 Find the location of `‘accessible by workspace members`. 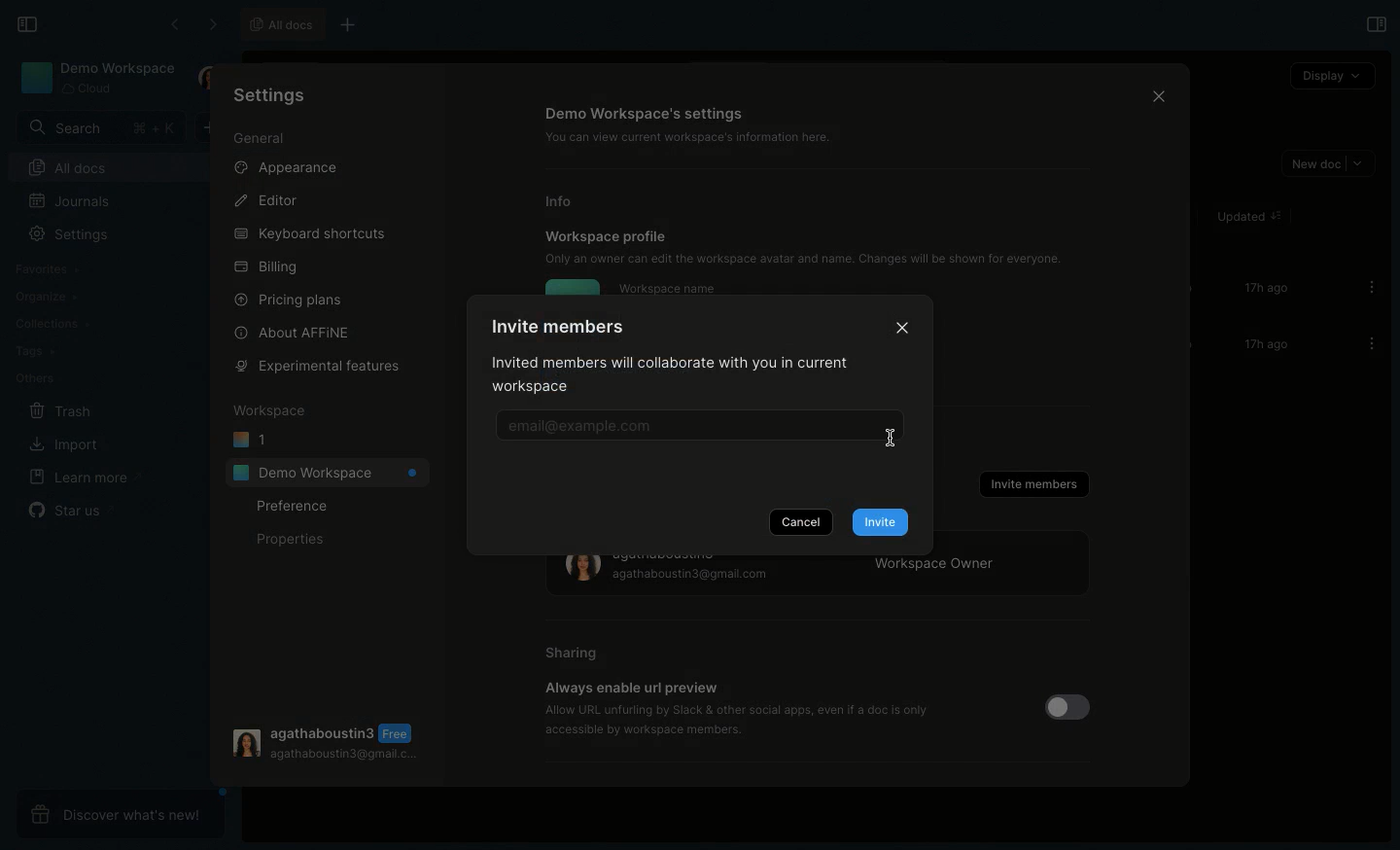

‘accessible by workspace members is located at coordinates (636, 729).